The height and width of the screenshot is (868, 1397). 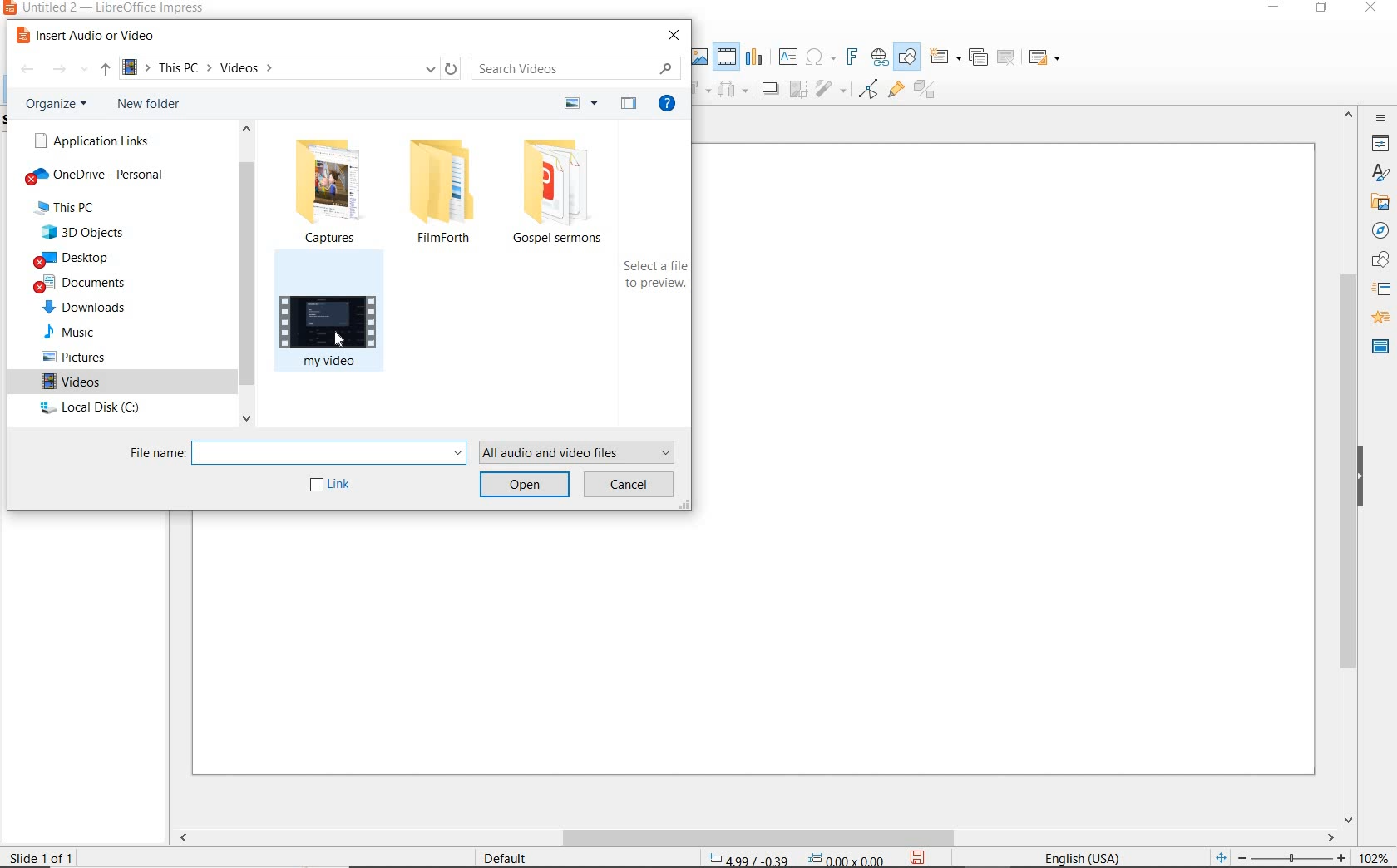 I want to click on INSERT HYPERLINK, so click(x=880, y=58).